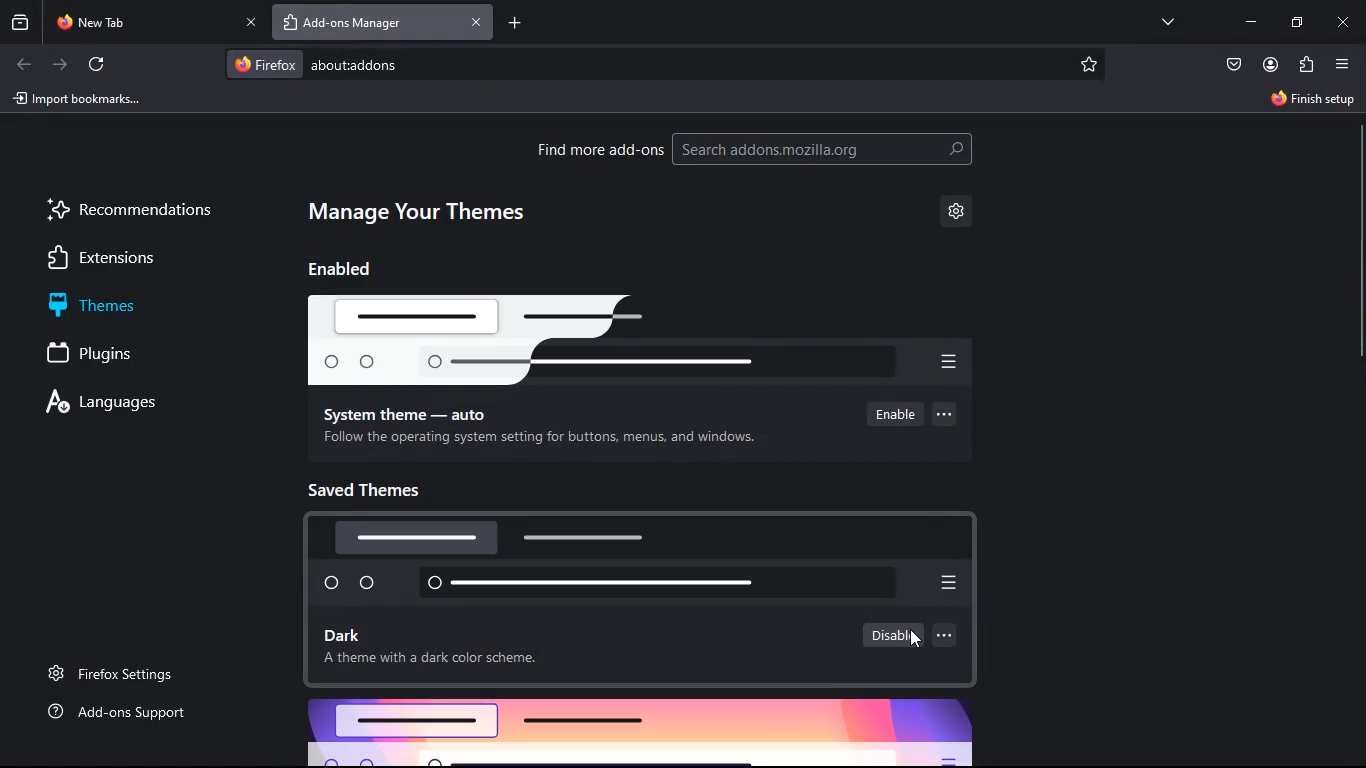  What do you see at coordinates (1305, 65) in the screenshot?
I see `instalations` at bounding box center [1305, 65].